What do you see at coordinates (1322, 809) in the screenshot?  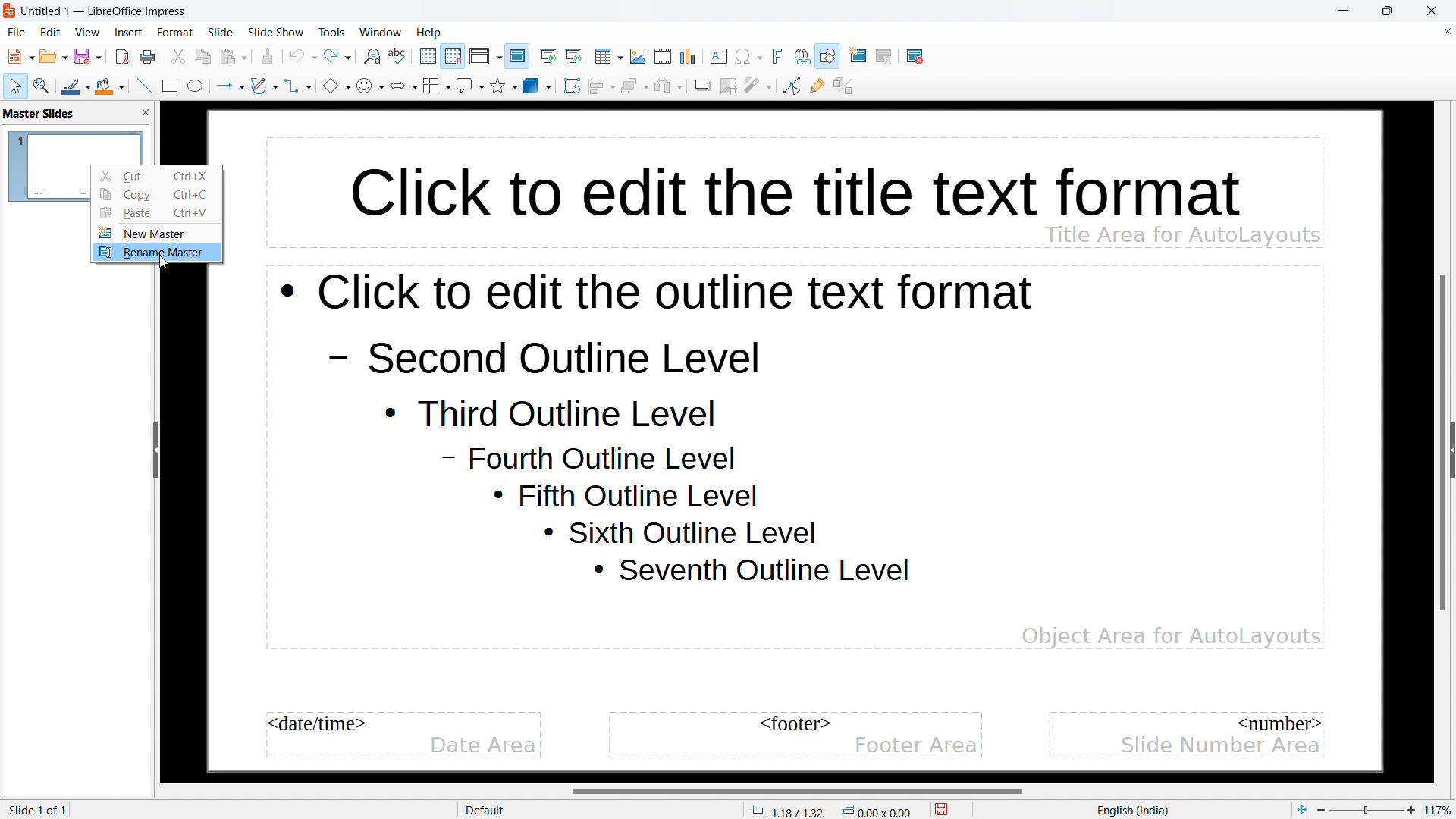 I see `zoom out` at bounding box center [1322, 809].